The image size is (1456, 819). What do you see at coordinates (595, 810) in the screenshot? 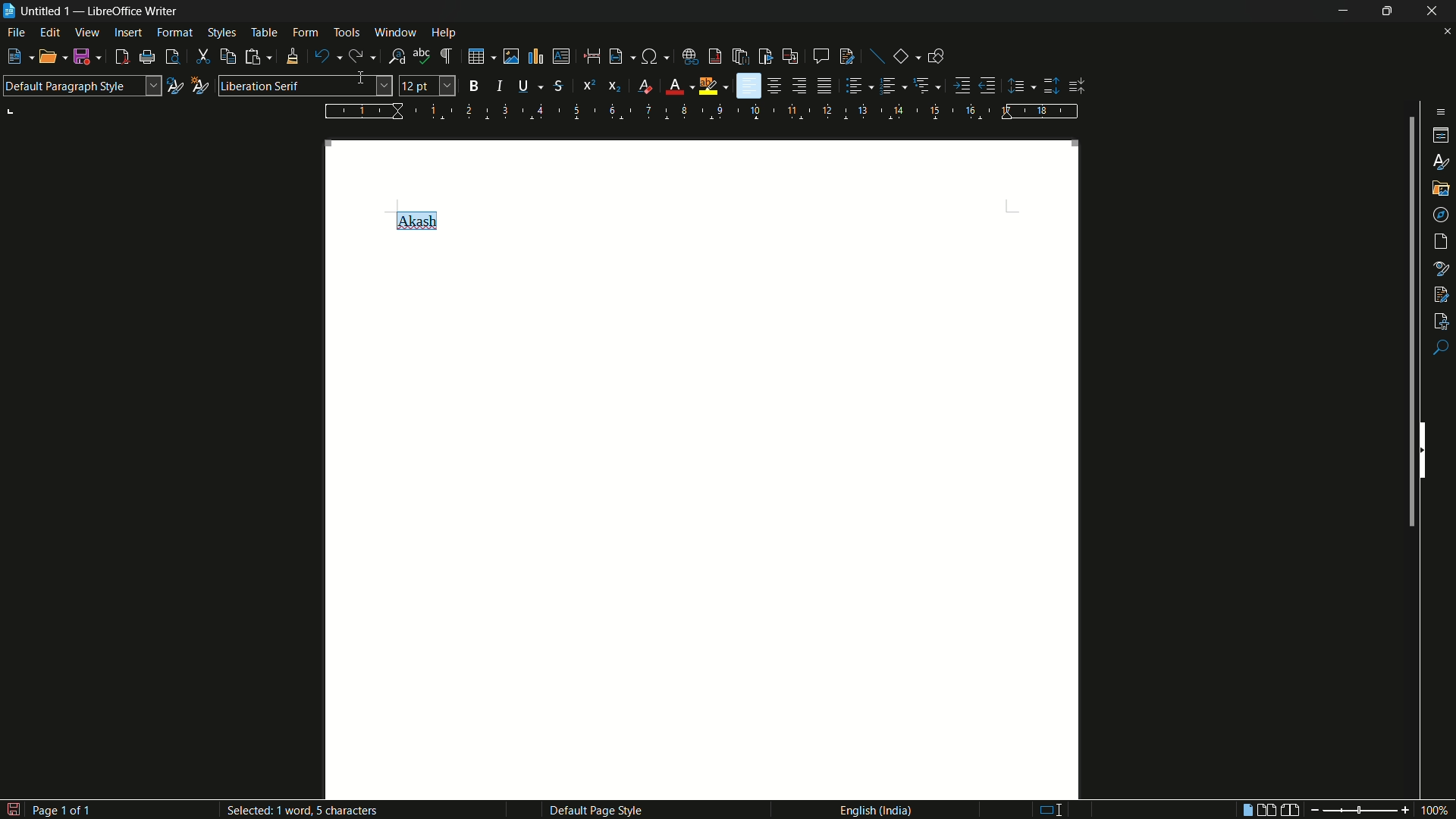
I see `page style` at bounding box center [595, 810].